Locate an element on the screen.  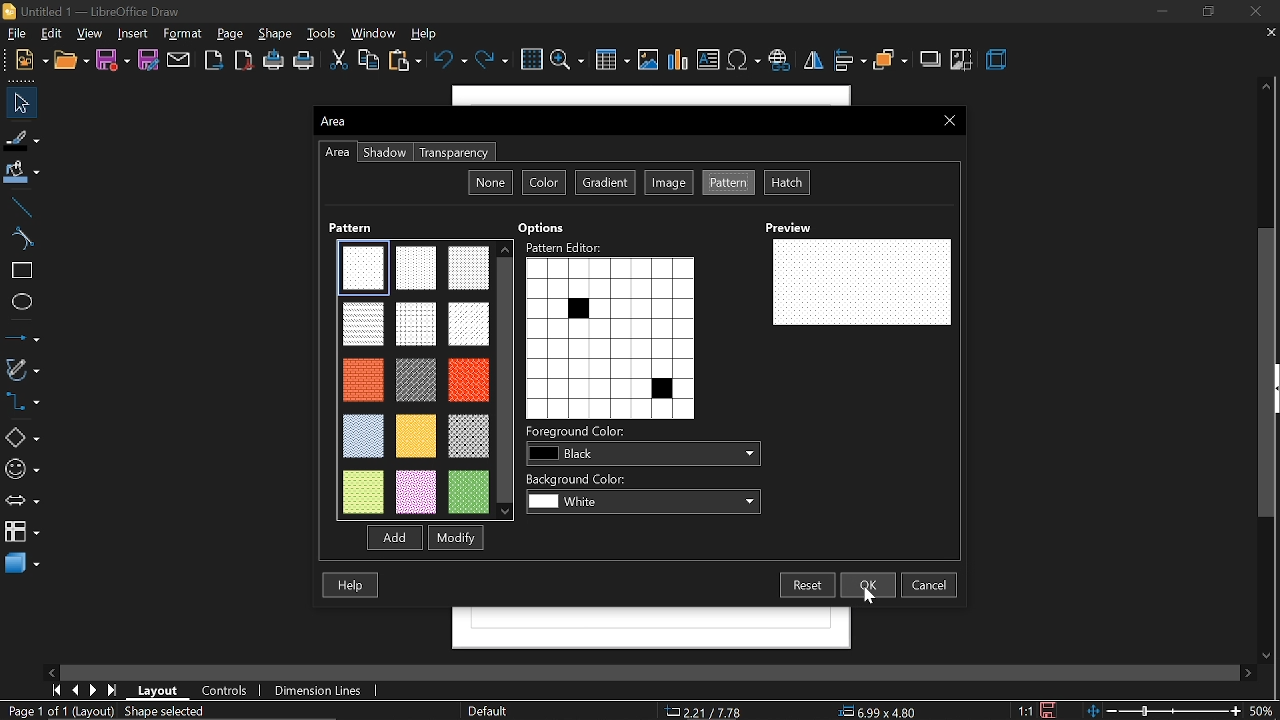
options is located at coordinates (546, 225).